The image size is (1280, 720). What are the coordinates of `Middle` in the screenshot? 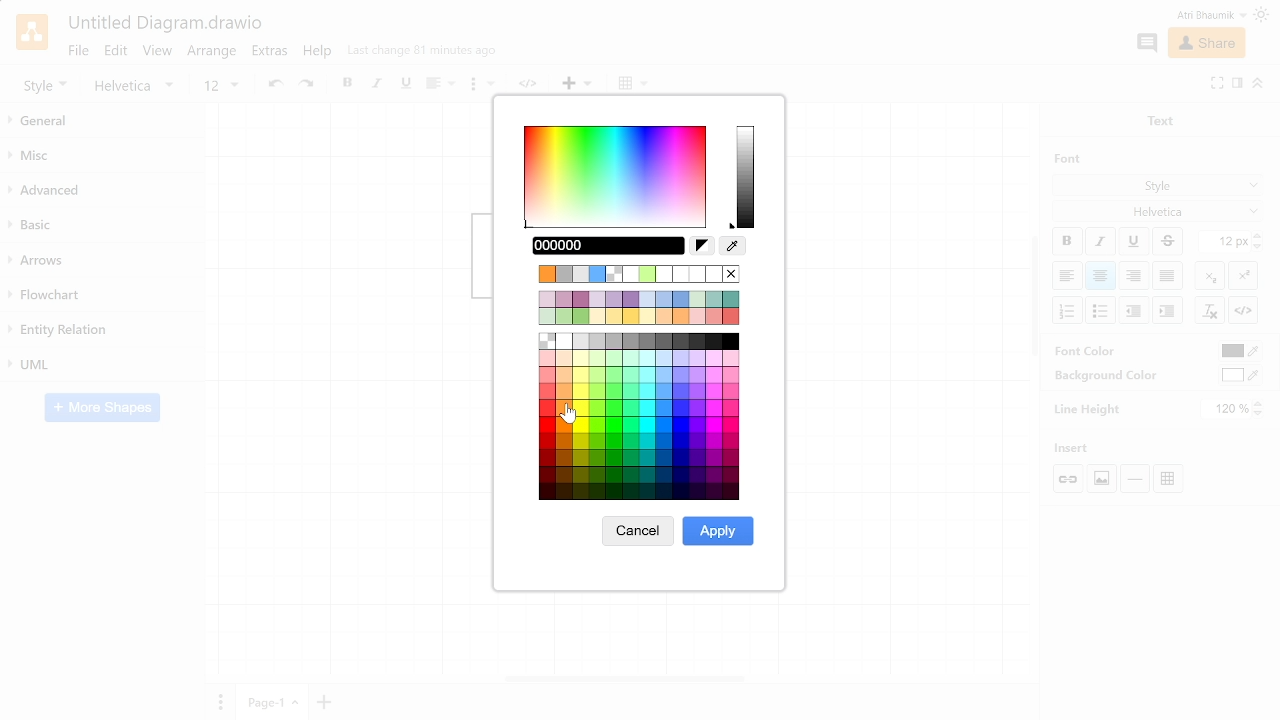 It's located at (1170, 276).